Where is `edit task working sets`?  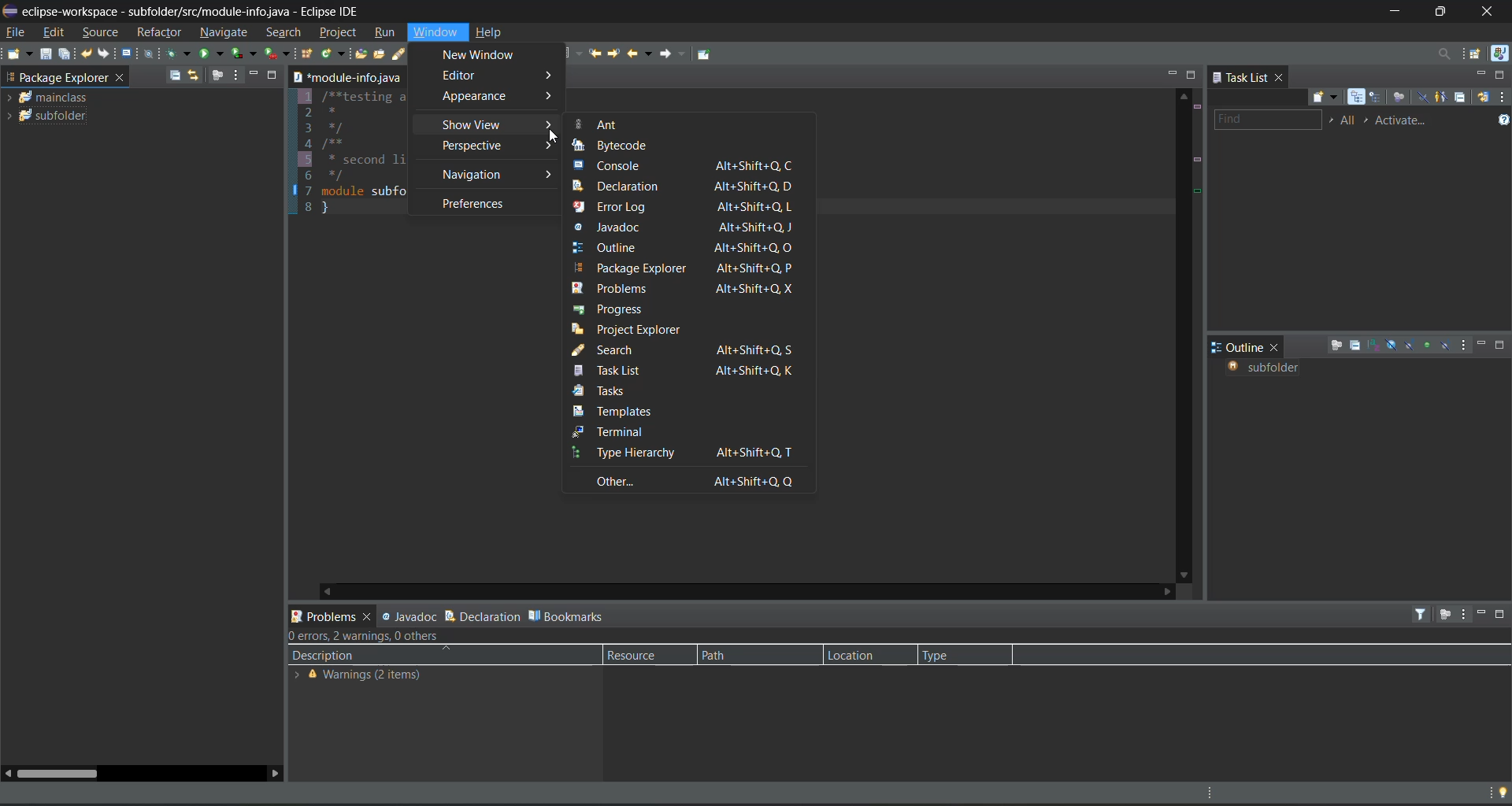 edit task working sets is located at coordinates (1349, 121).